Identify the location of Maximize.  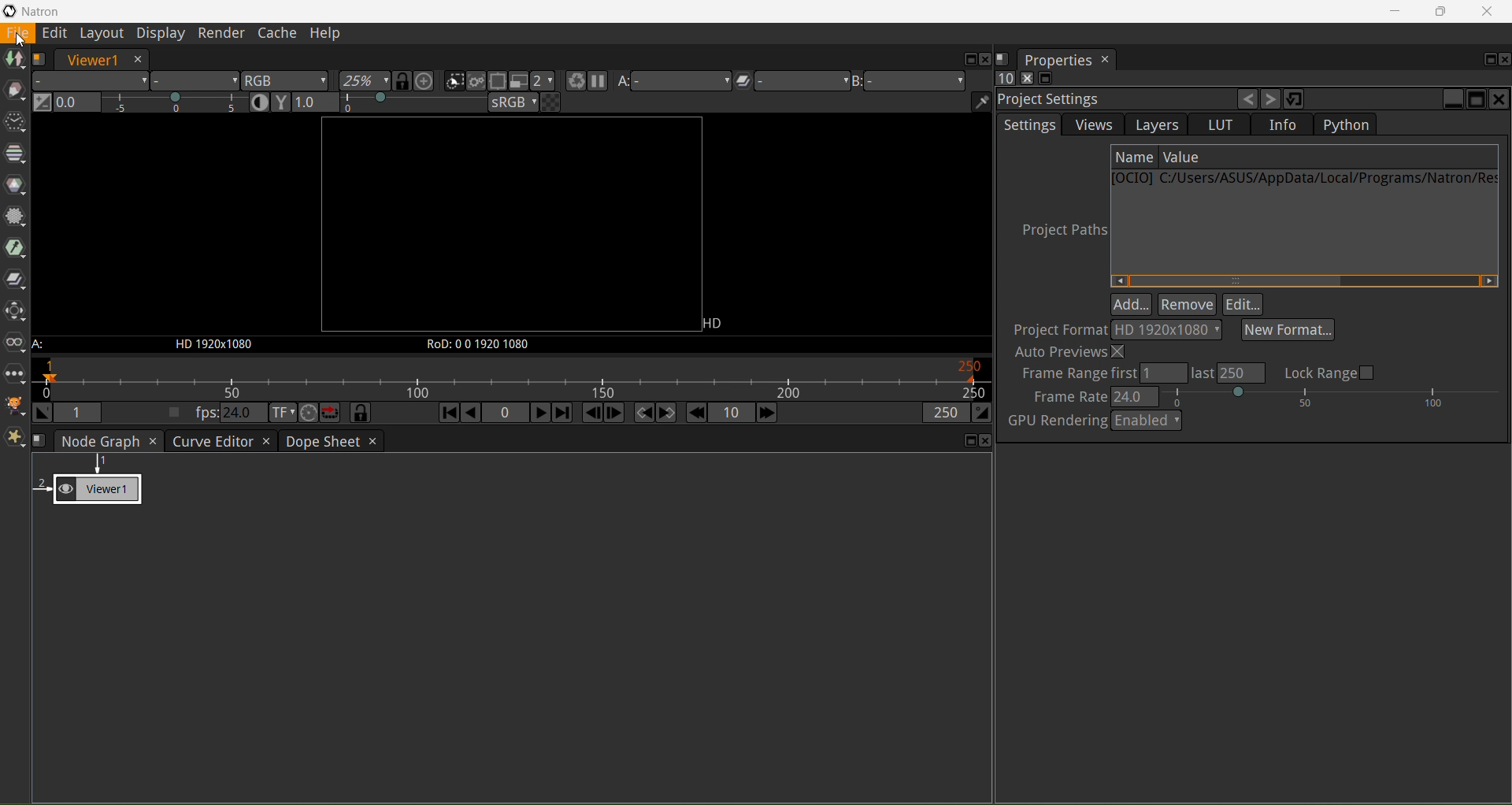
(1476, 99).